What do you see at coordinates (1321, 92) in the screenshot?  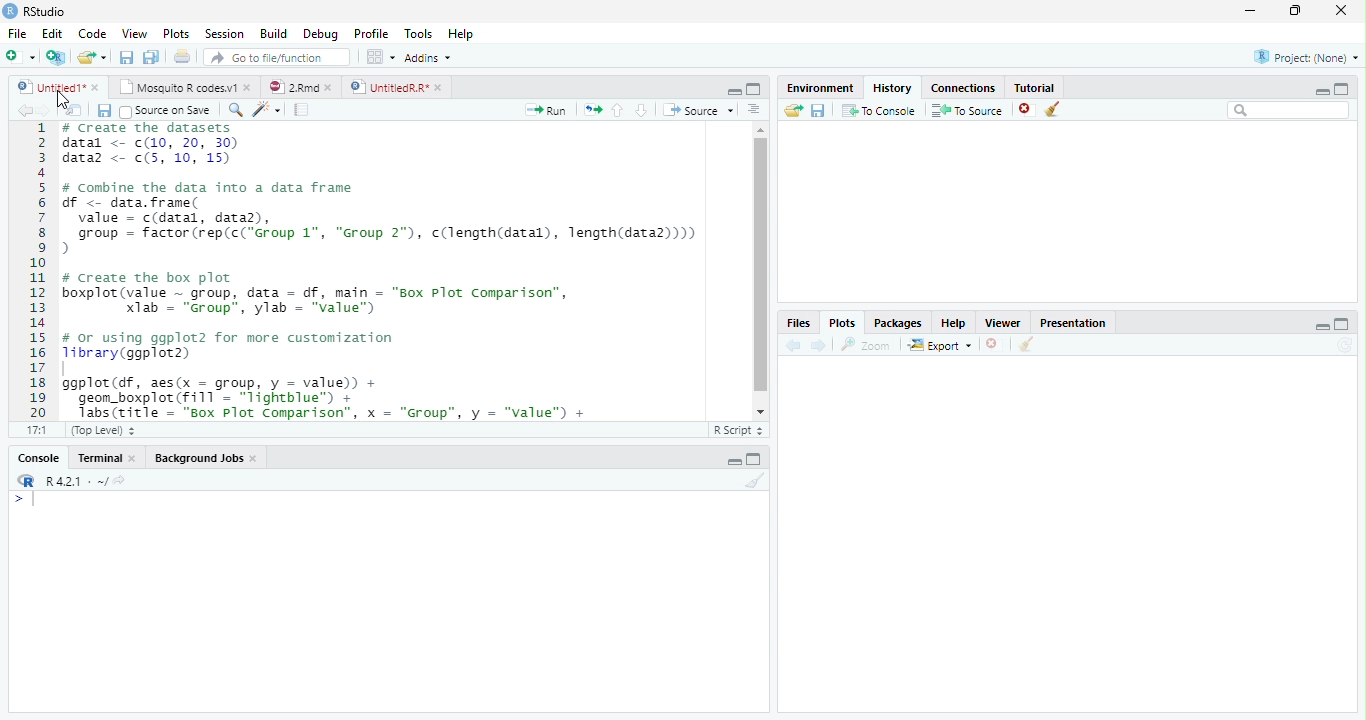 I see `Minimize` at bounding box center [1321, 92].